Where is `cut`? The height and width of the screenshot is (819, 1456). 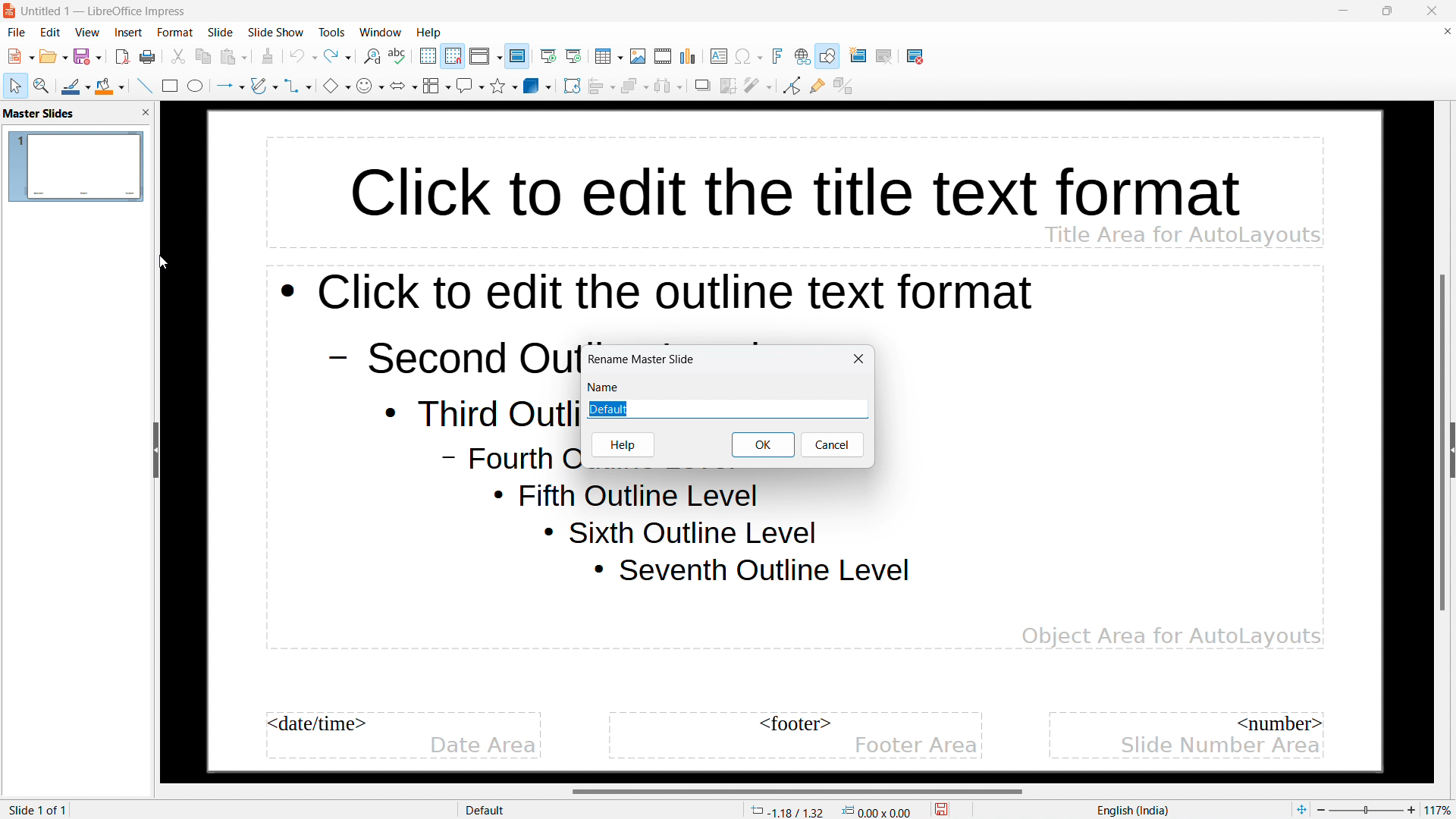 cut is located at coordinates (178, 57).